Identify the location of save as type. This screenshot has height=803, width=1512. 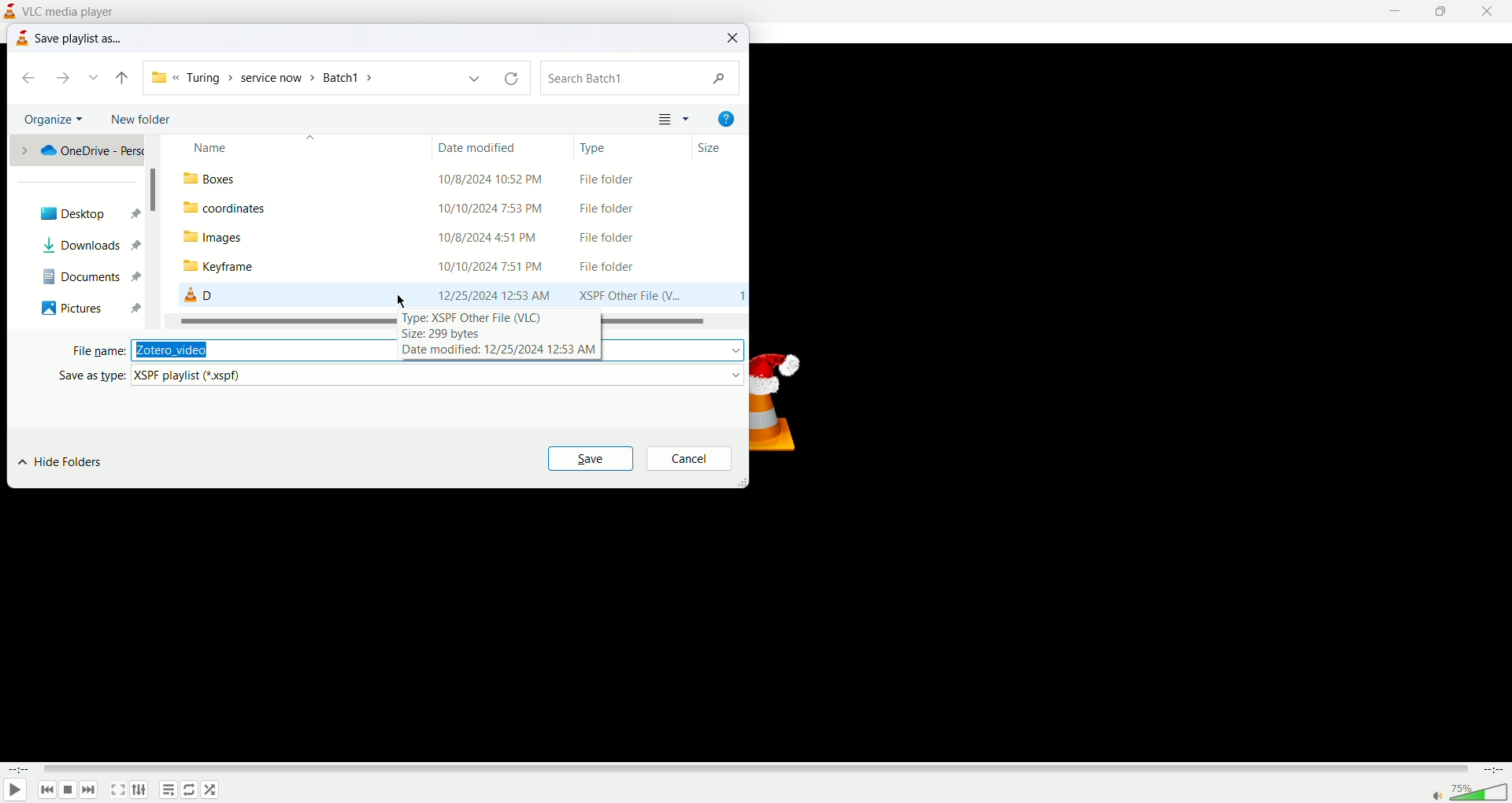
(83, 375).